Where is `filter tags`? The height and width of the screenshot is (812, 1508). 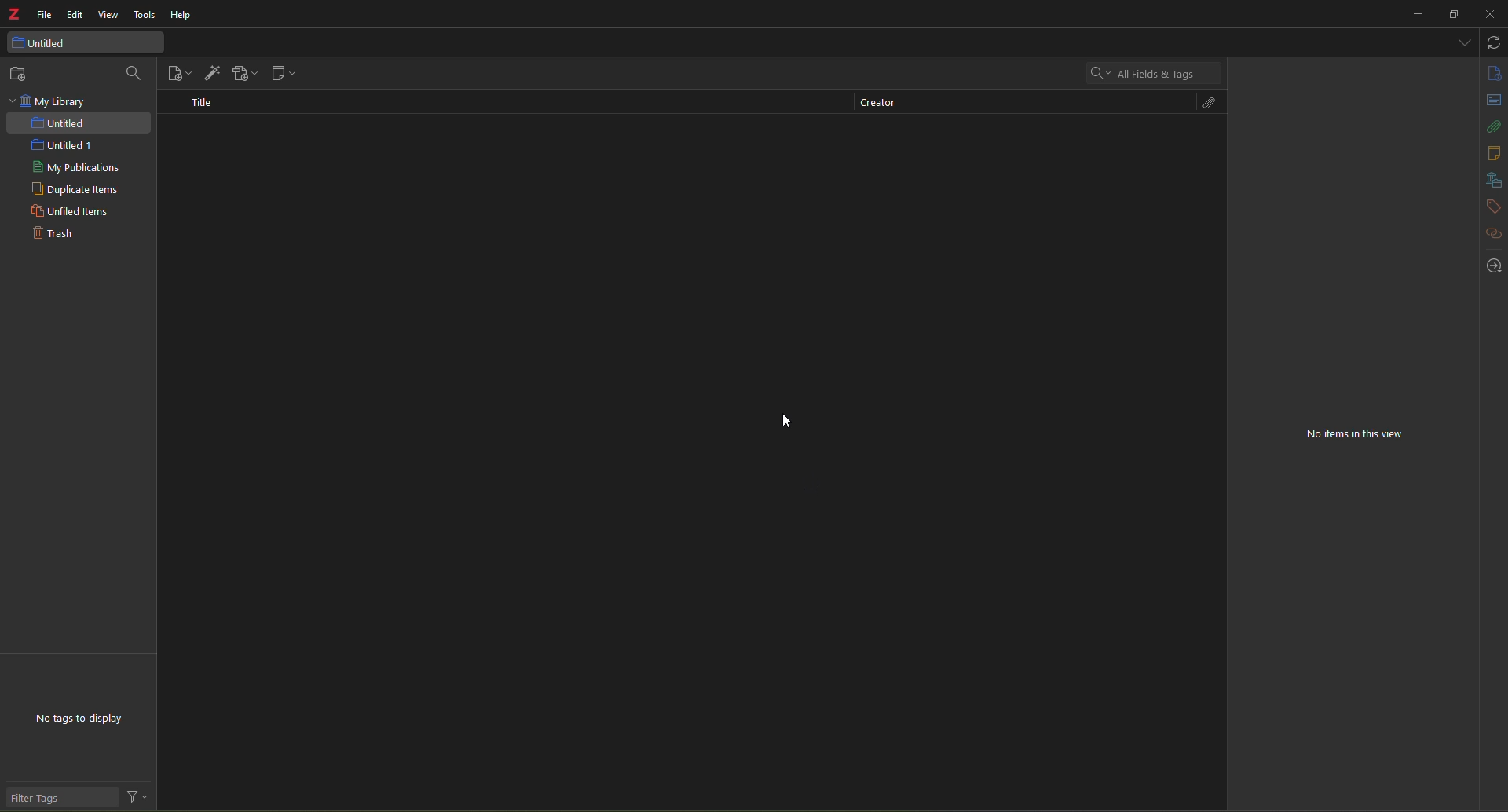
filter tags is located at coordinates (48, 799).